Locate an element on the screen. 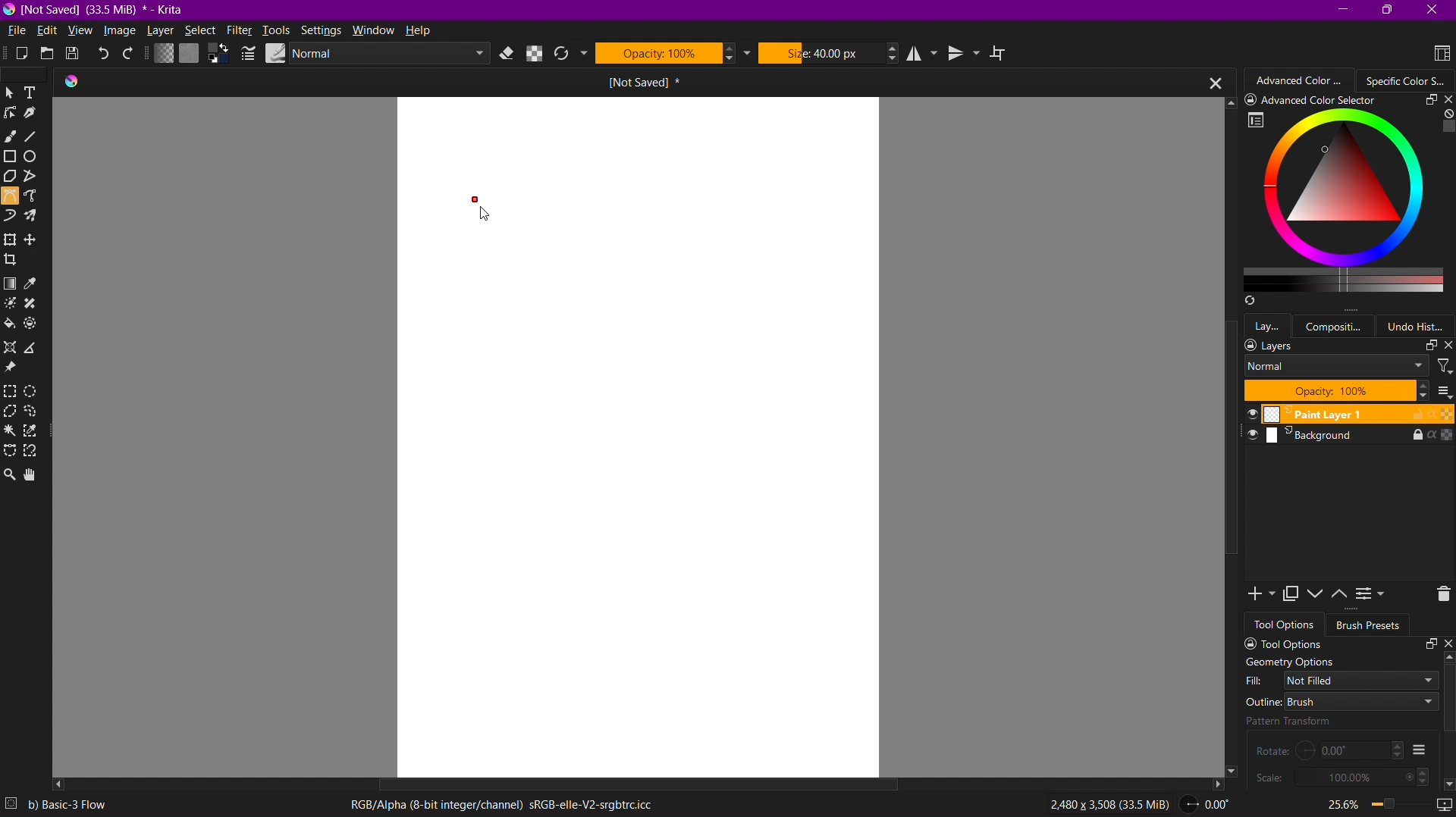 The width and height of the screenshot is (1456, 817). Settings is located at coordinates (322, 30).